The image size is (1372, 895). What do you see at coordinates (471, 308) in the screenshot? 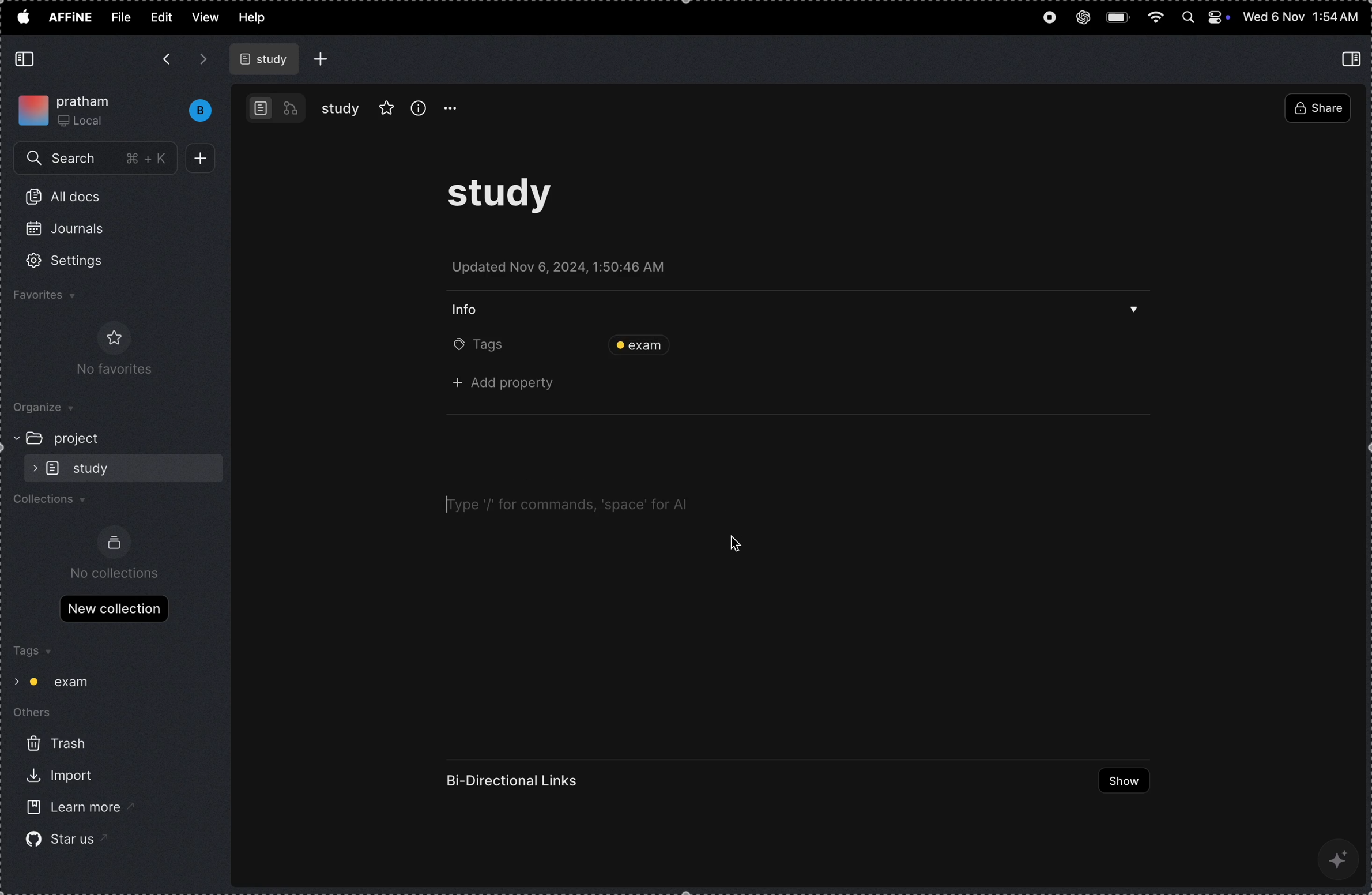
I see `info` at bounding box center [471, 308].